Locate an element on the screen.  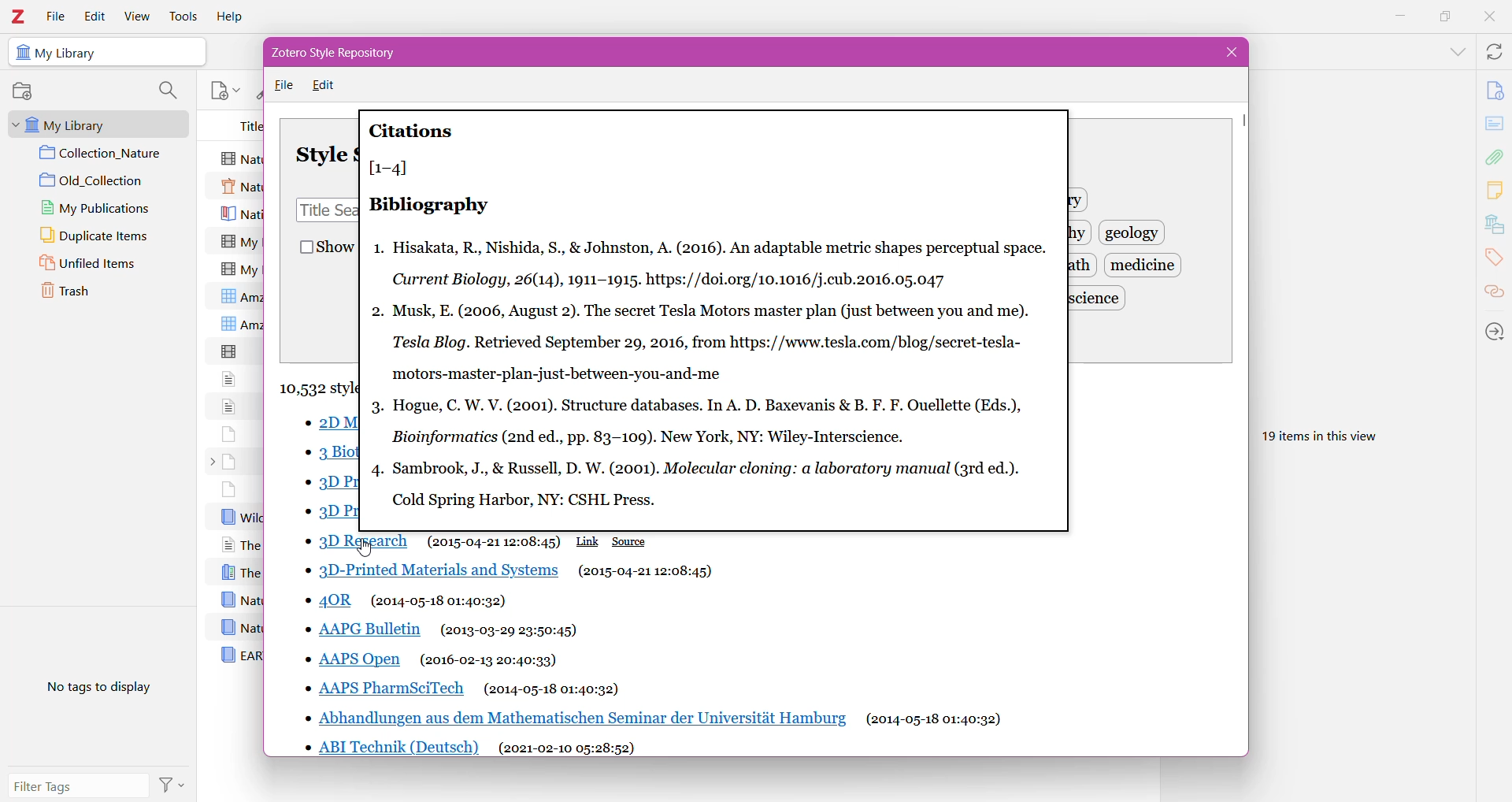
(2016-02-13 20:40:33) is located at coordinates (490, 660).